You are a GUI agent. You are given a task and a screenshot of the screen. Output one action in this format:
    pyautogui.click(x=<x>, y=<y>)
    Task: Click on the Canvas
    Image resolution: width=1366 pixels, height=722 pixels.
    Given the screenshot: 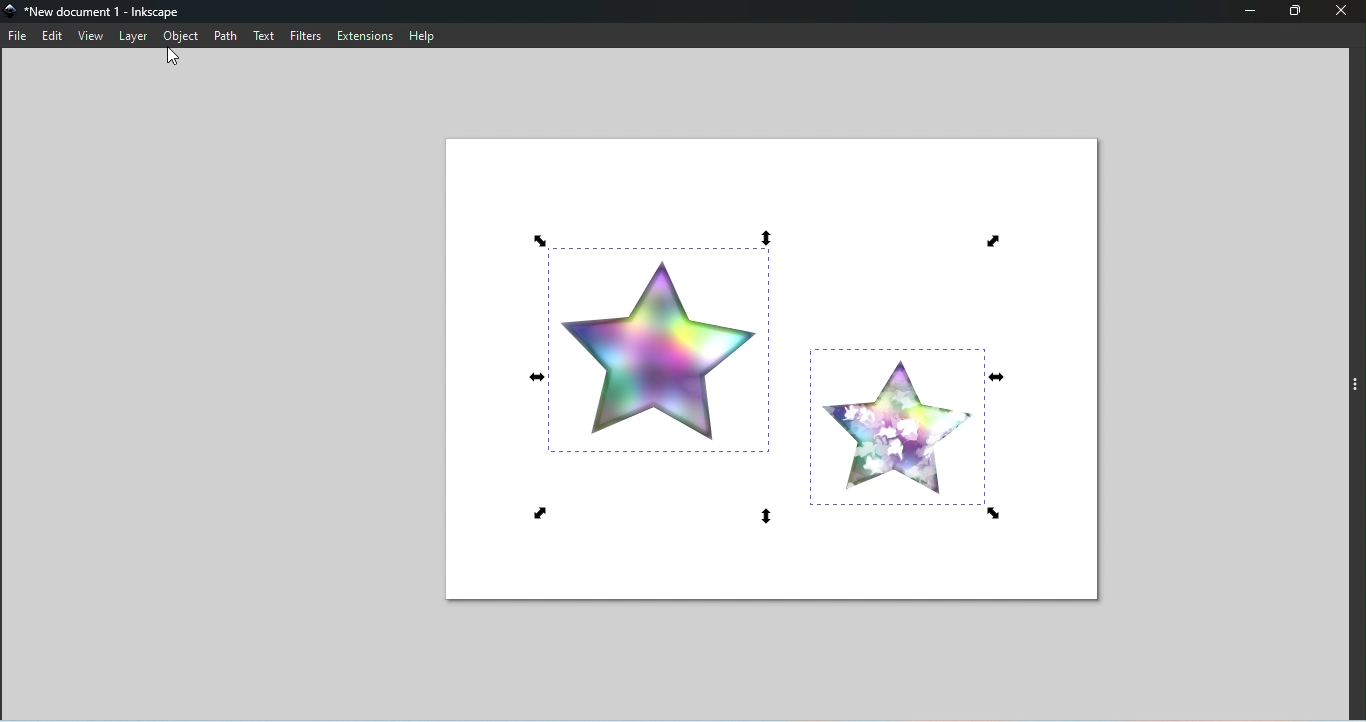 What is the action you would take?
    pyautogui.click(x=760, y=365)
    